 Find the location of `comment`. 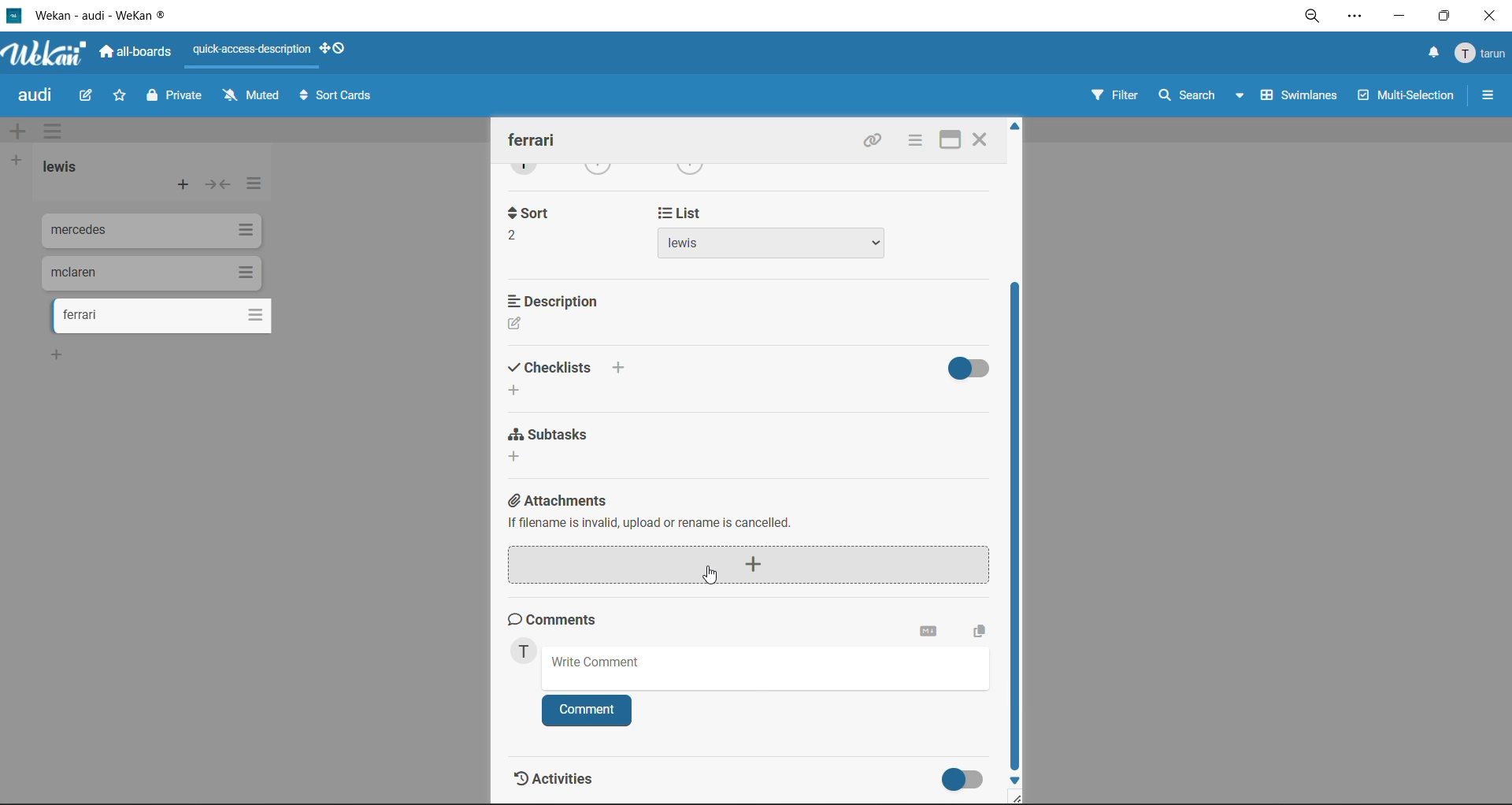

comment is located at coordinates (584, 710).